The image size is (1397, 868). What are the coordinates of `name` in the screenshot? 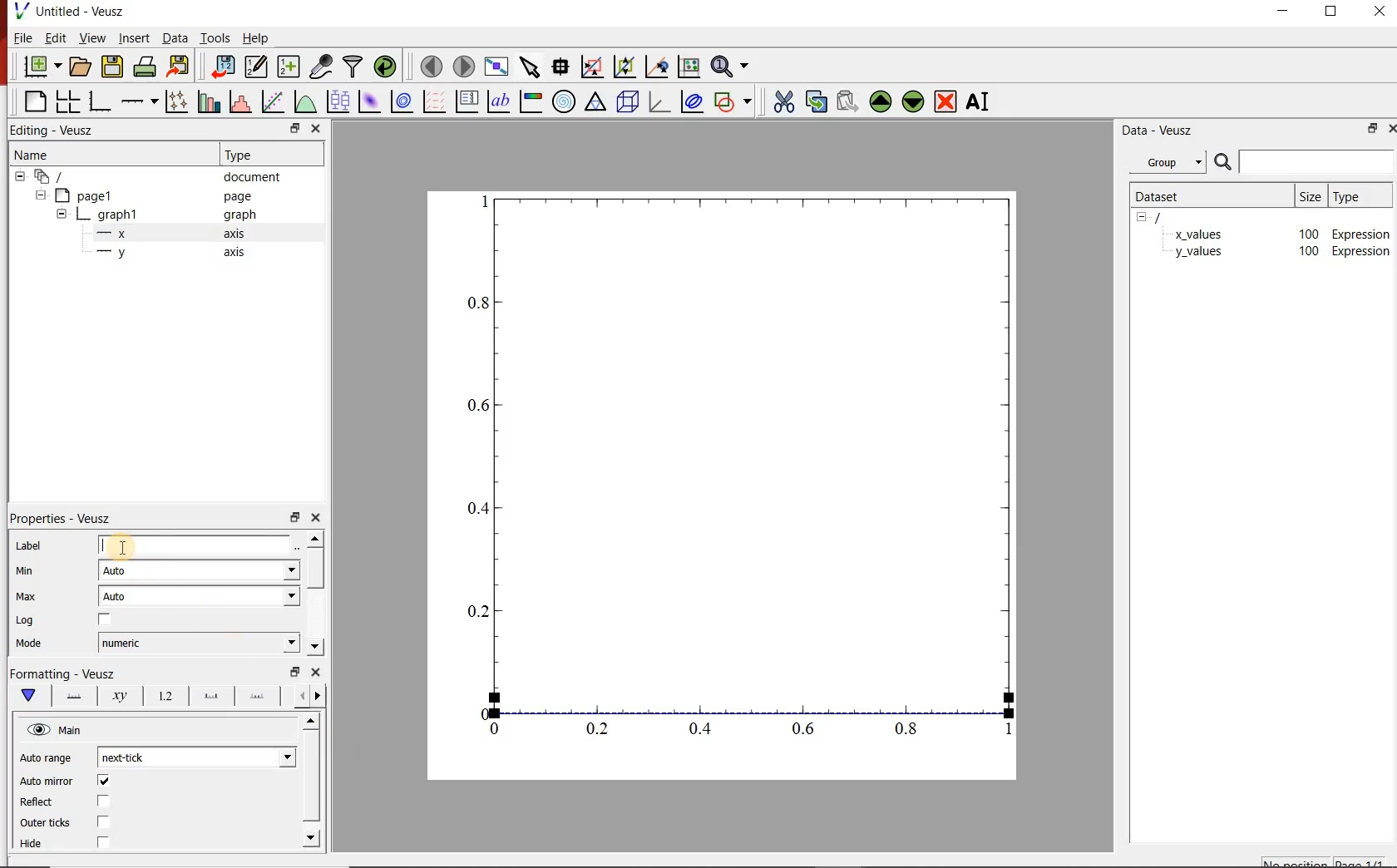 It's located at (33, 156).